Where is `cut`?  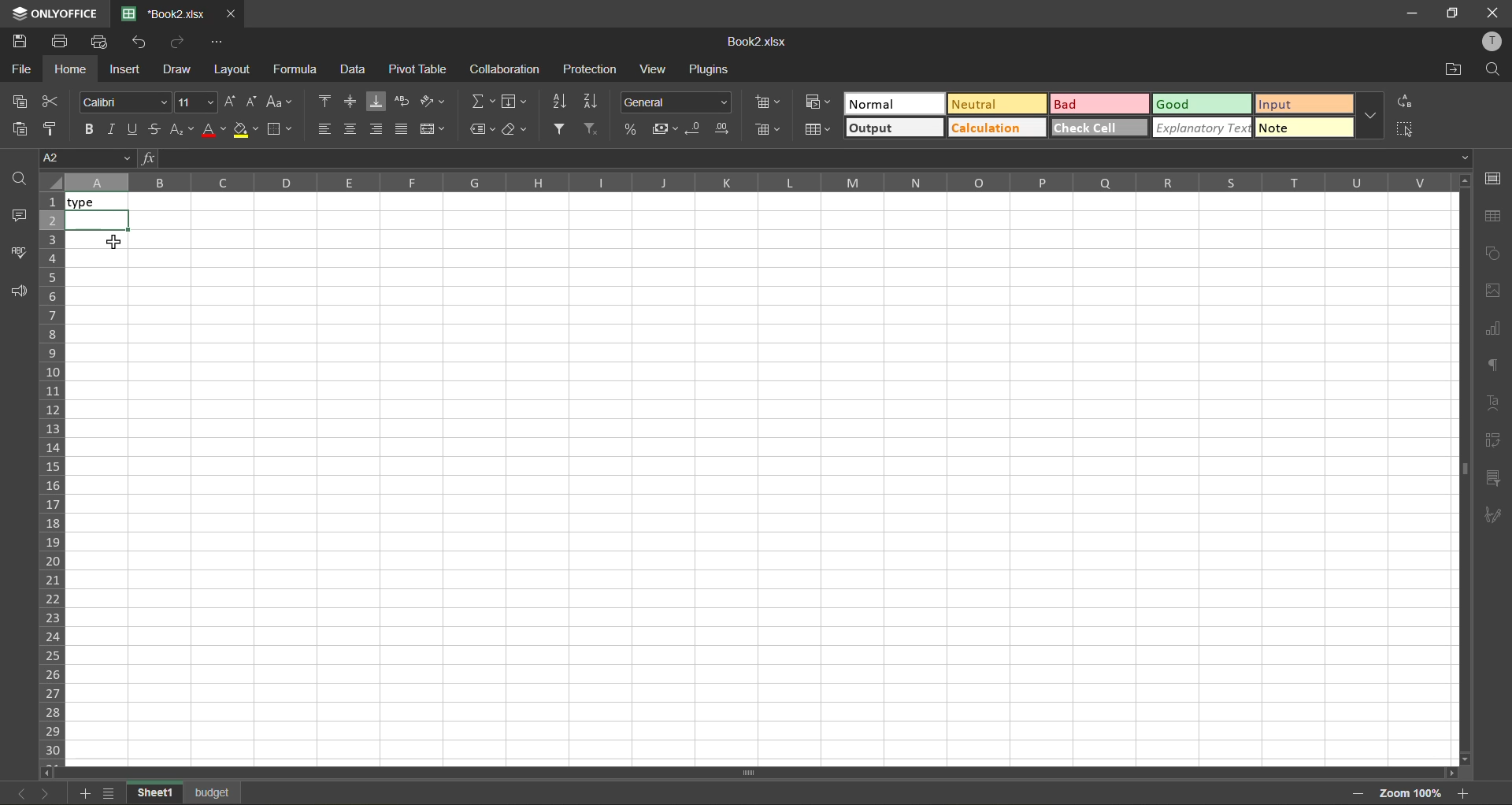 cut is located at coordinates (48, 102).